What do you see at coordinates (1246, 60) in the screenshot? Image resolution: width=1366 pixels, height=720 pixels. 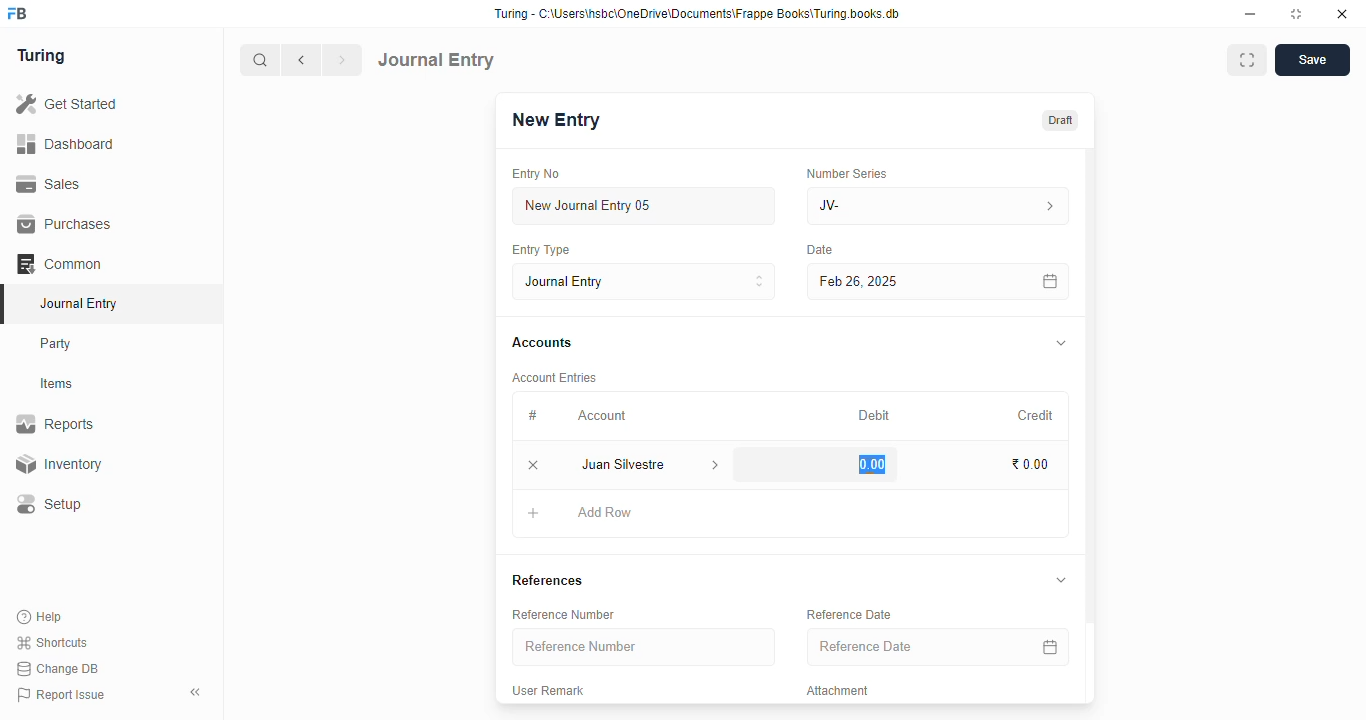 I see `toggle between form and full width` at bounding box center [1246, 60].